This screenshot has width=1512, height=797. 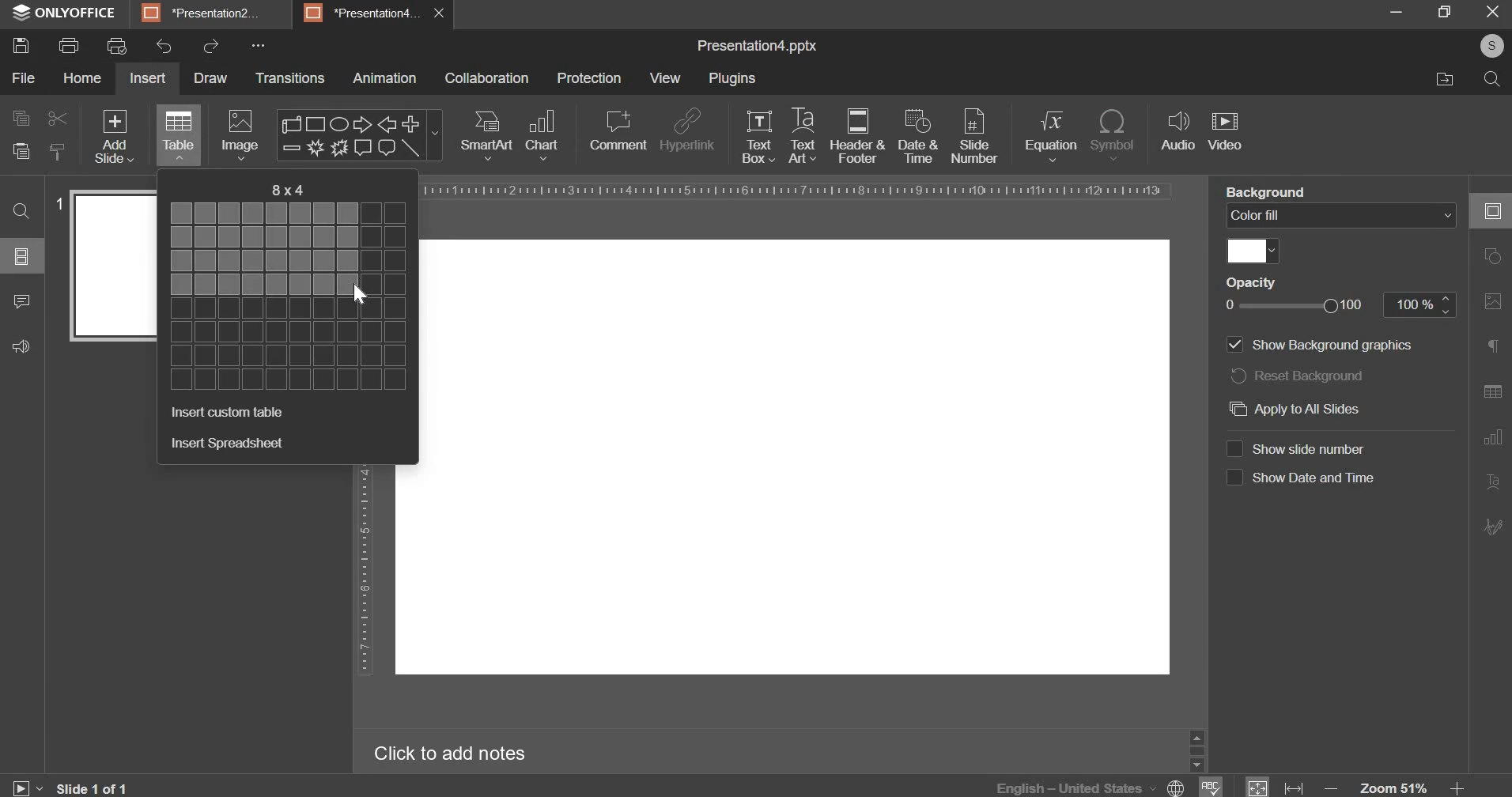 What do you see at coordinates (285, 190) in the screenshot?
I see `8x4` at bounding box center [285, 190].